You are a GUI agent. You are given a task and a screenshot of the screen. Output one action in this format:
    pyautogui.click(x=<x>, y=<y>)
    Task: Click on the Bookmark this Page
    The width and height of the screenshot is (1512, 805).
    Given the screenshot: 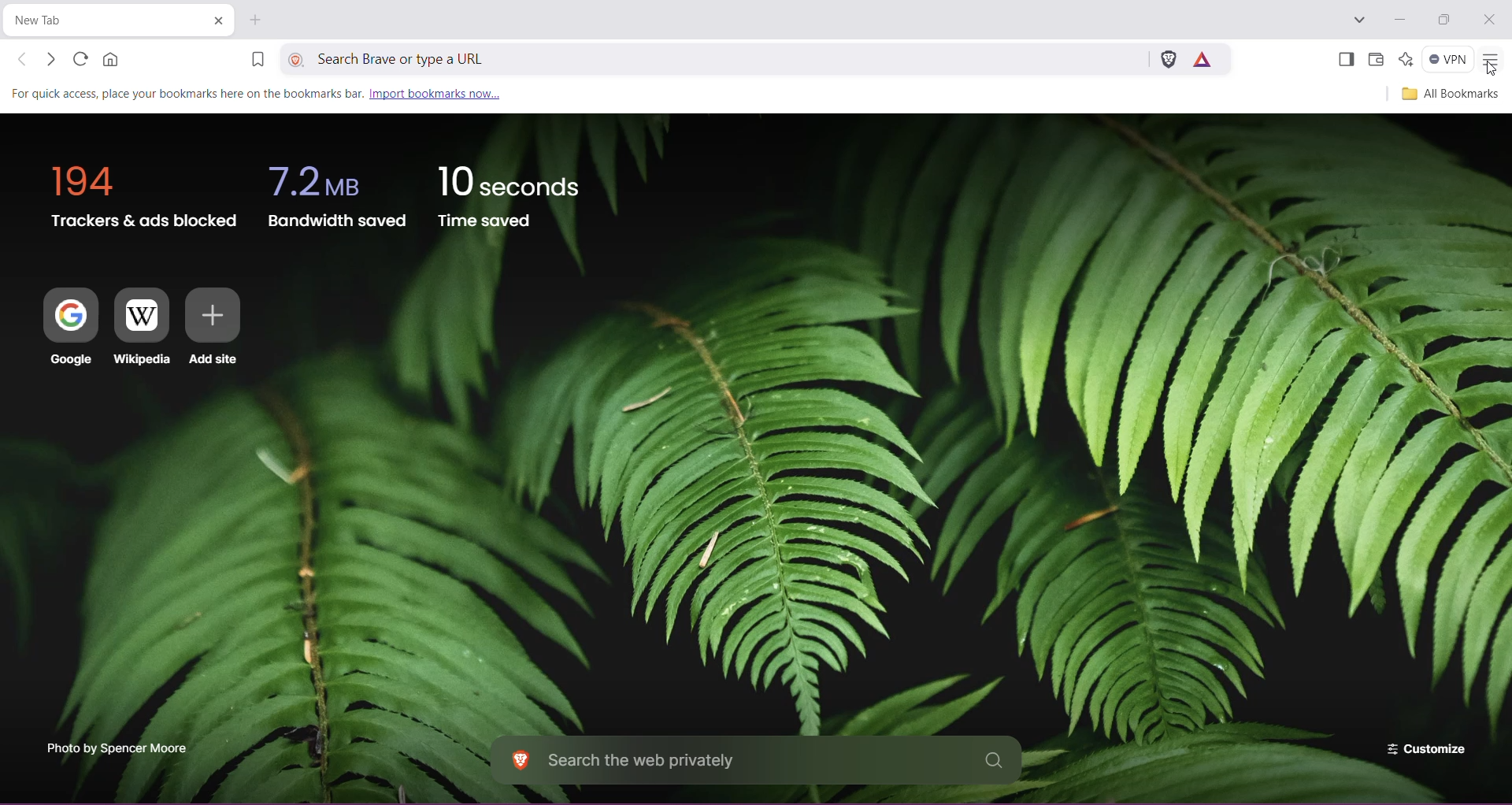 What is the action you would take?
    pyautogui.click(x=256, y=61)
    